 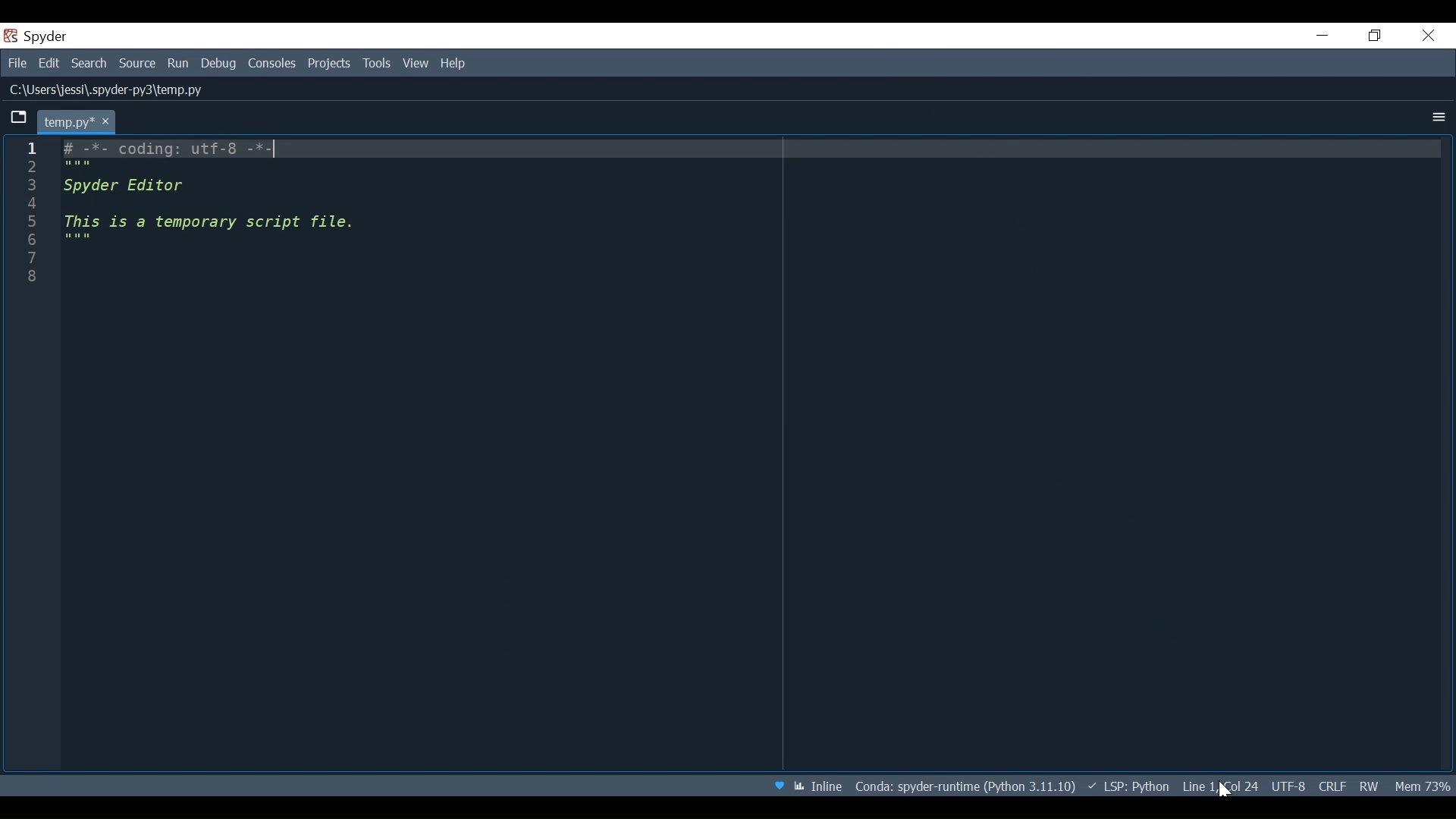 I want to click on Debug, so click(x=219, y=63).